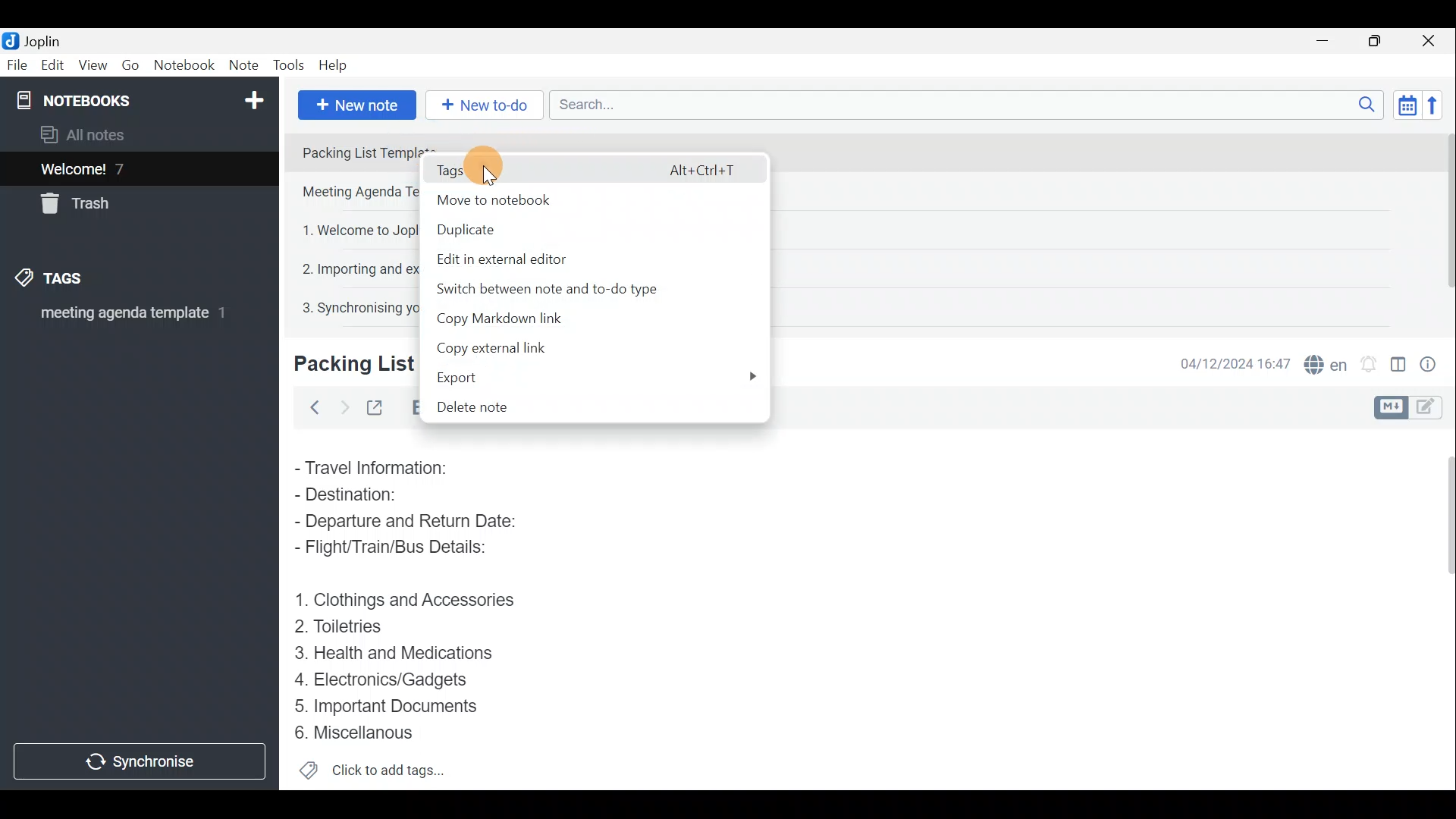 The width and height of the screenshot is (1456, 819). I want to click on File, so click(15, 64).